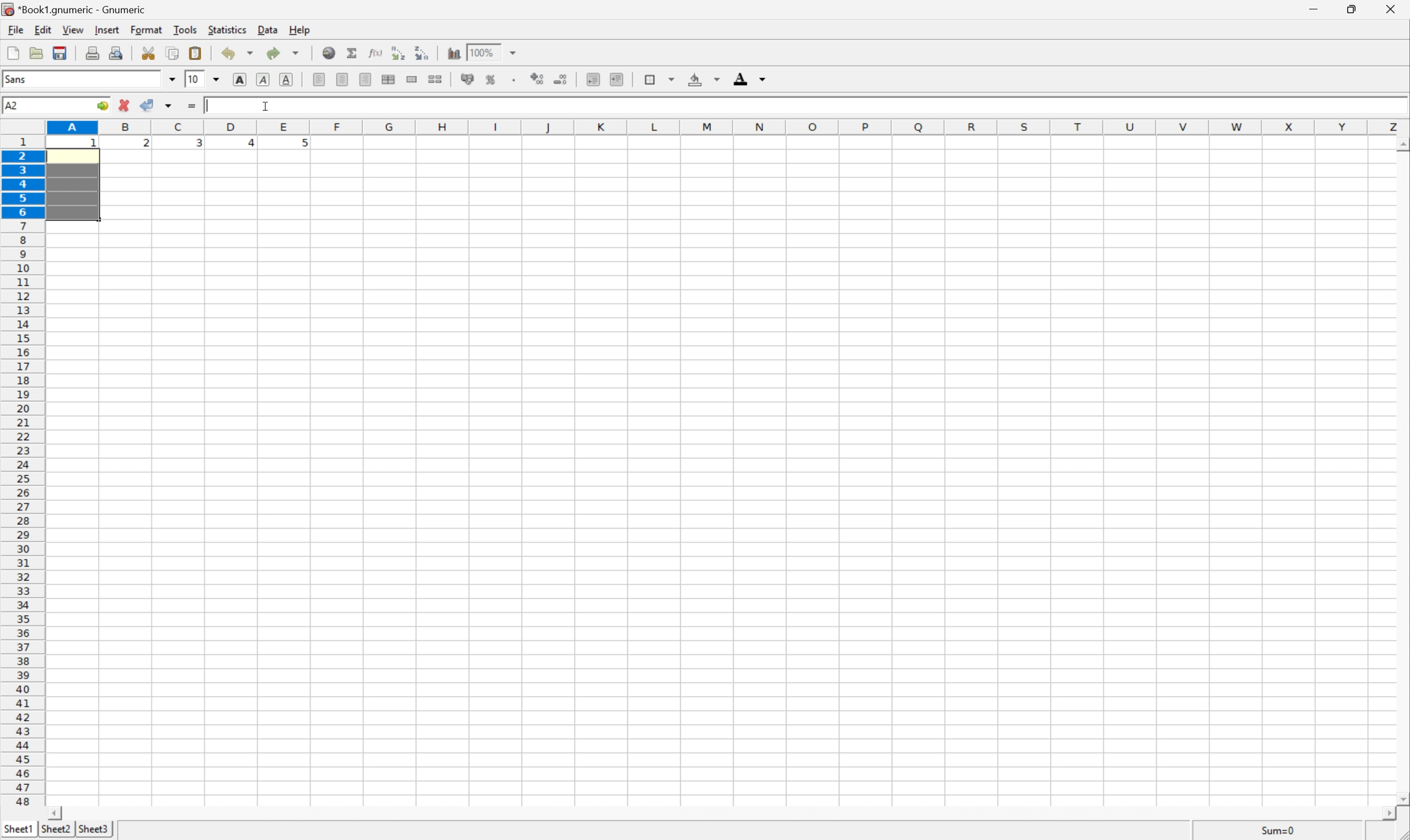 This screenshot has height=840, width=1410. I want to click on print preview, so click(117, 52).